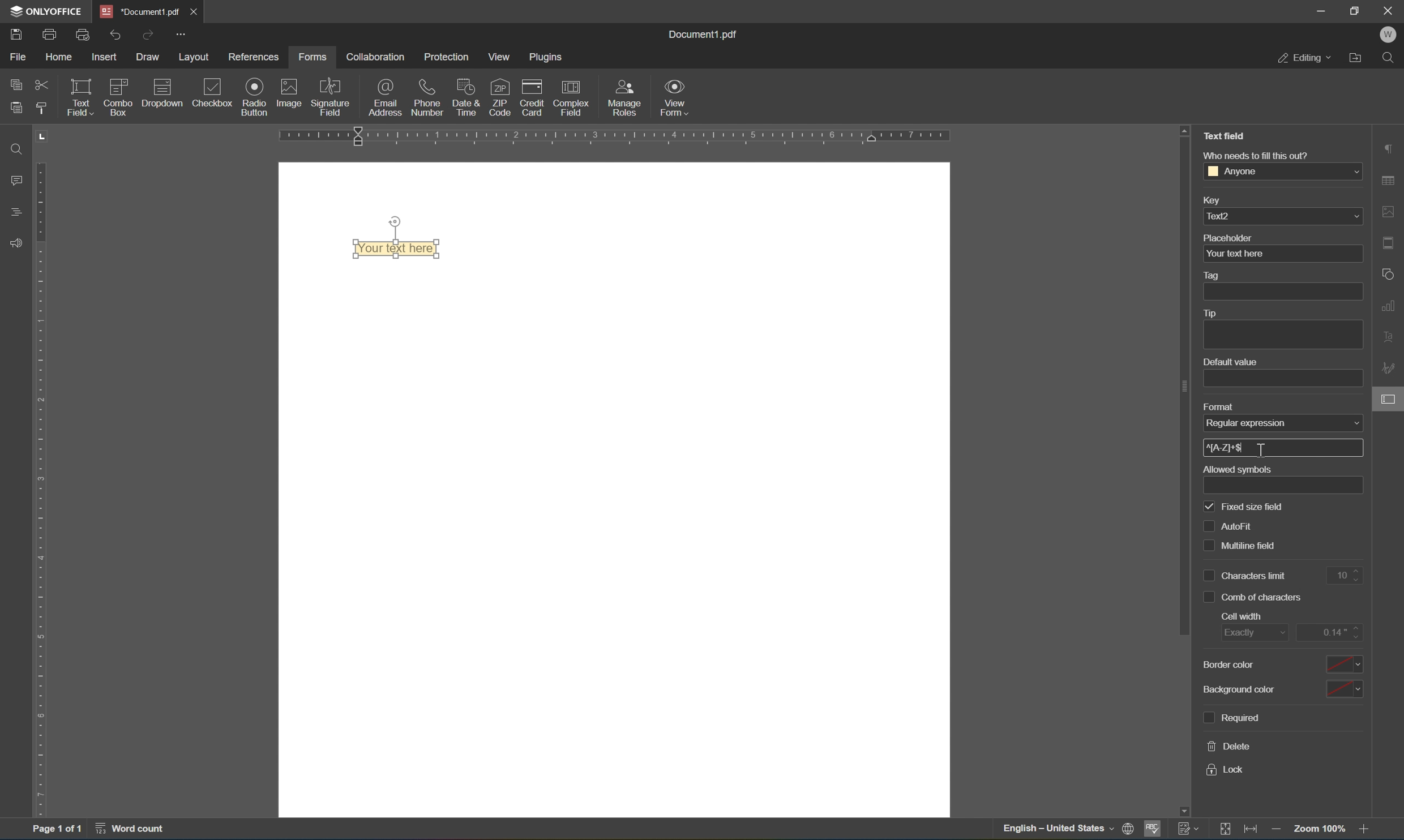  Describe the element at coordinates (1281, 171) in the screenshot. I see `anyone` at that location.